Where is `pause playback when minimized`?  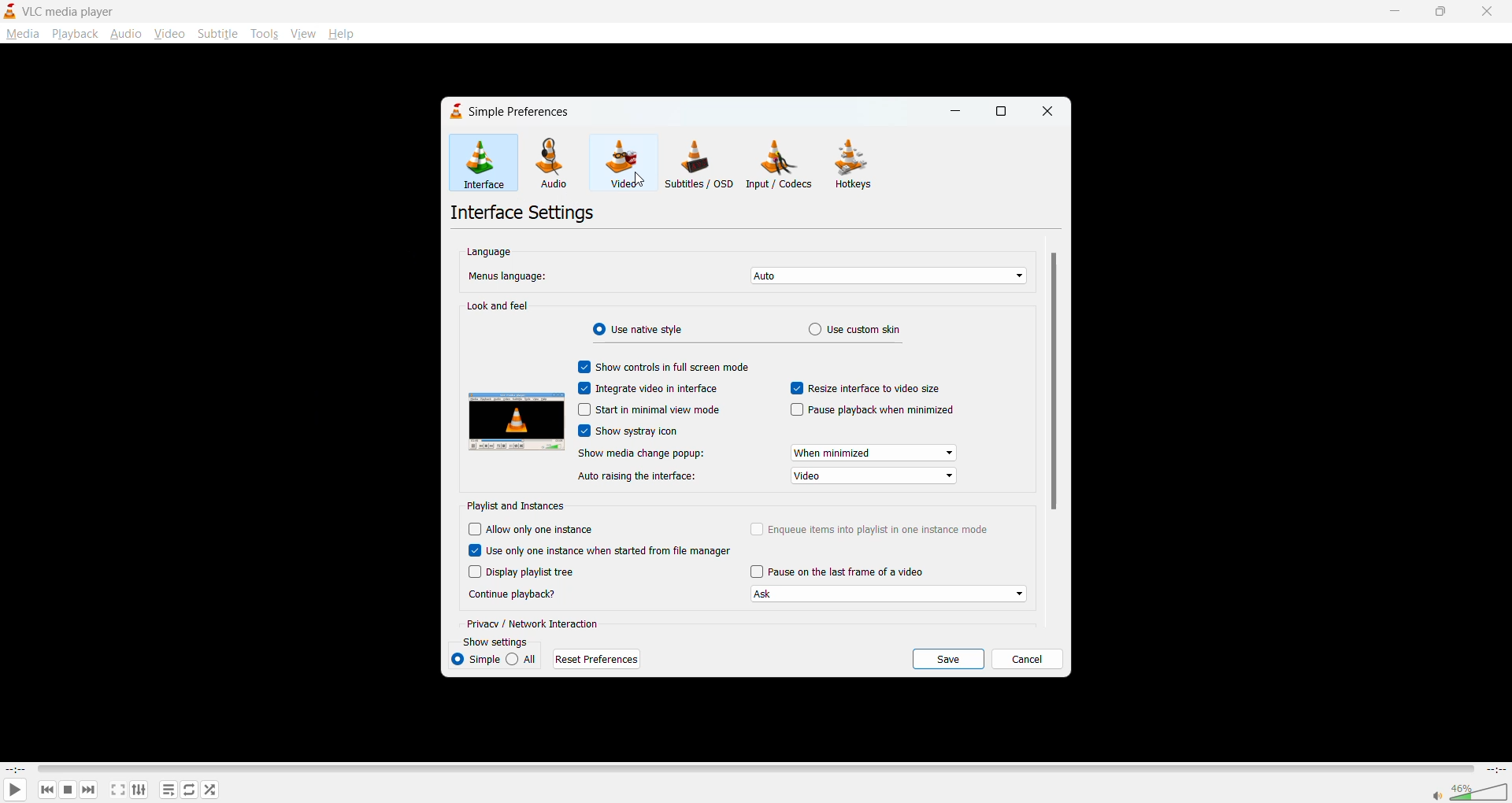
pause playback when minimized is located at coordinates (877, 410).